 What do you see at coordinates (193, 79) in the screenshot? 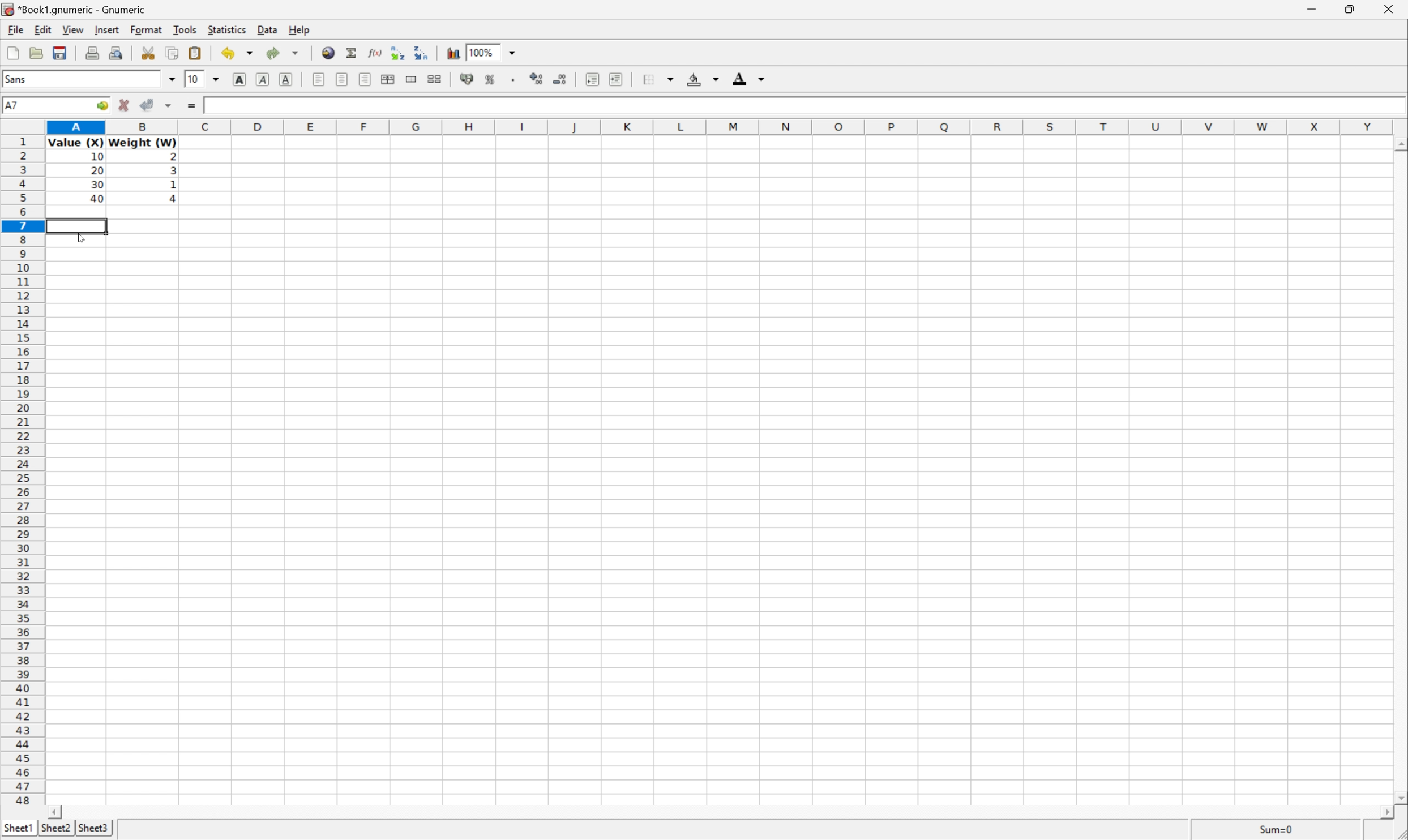
I see `10` at bounding box center [193, 79].